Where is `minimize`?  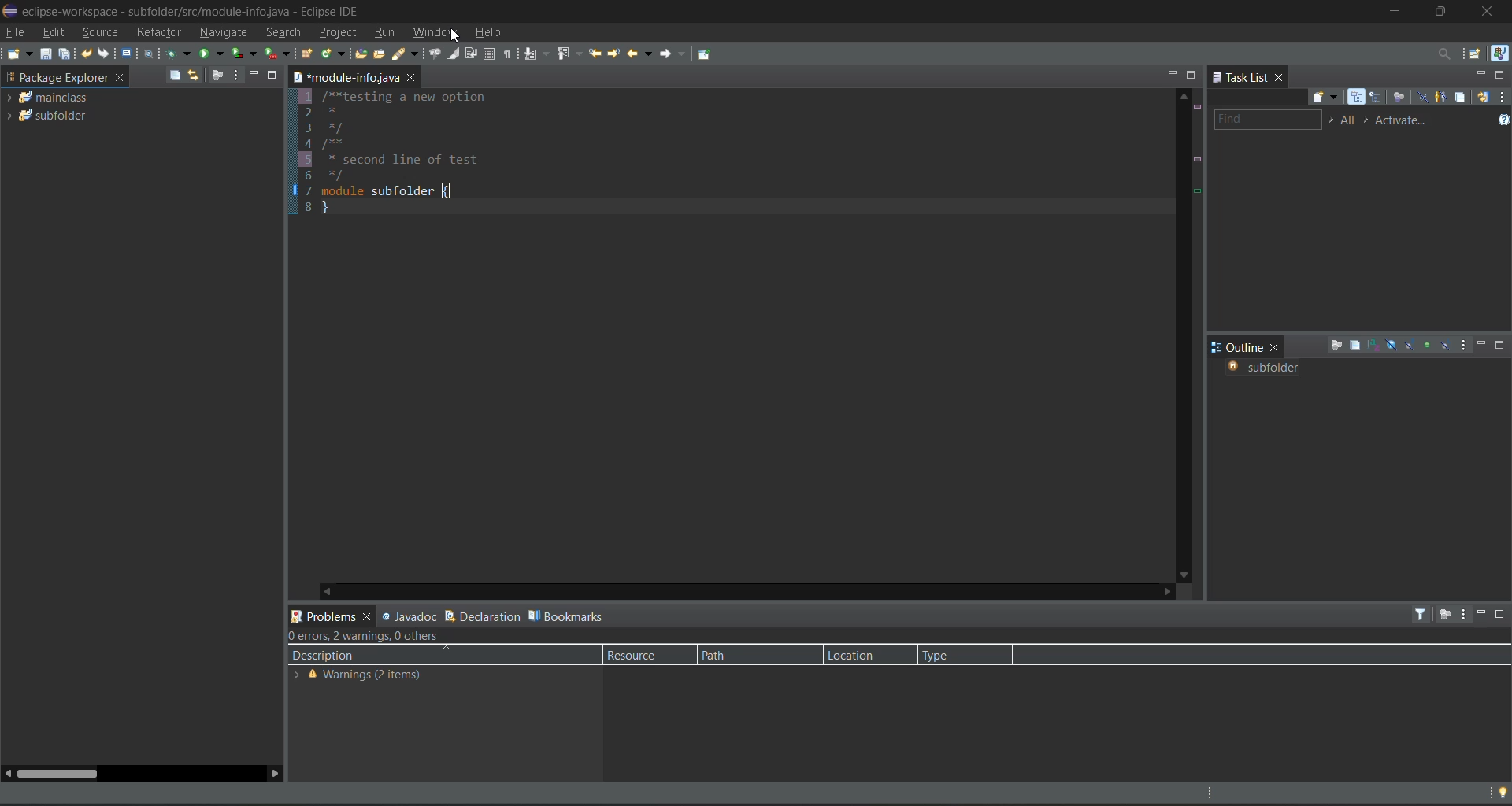
minimize is located at coordinates (1484, 344).